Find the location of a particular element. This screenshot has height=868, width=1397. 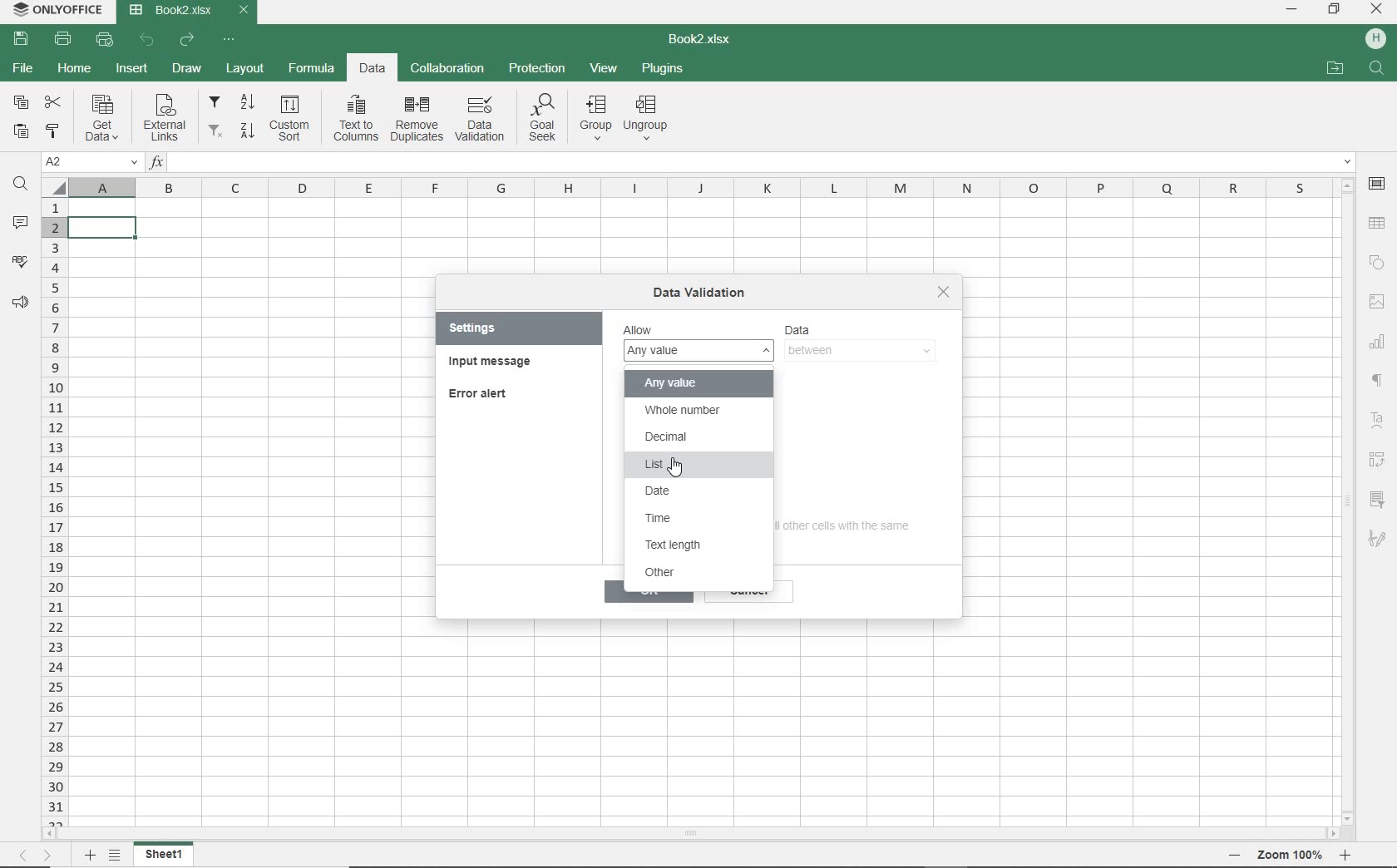

CURSOR is located at coordinates (675, 467).